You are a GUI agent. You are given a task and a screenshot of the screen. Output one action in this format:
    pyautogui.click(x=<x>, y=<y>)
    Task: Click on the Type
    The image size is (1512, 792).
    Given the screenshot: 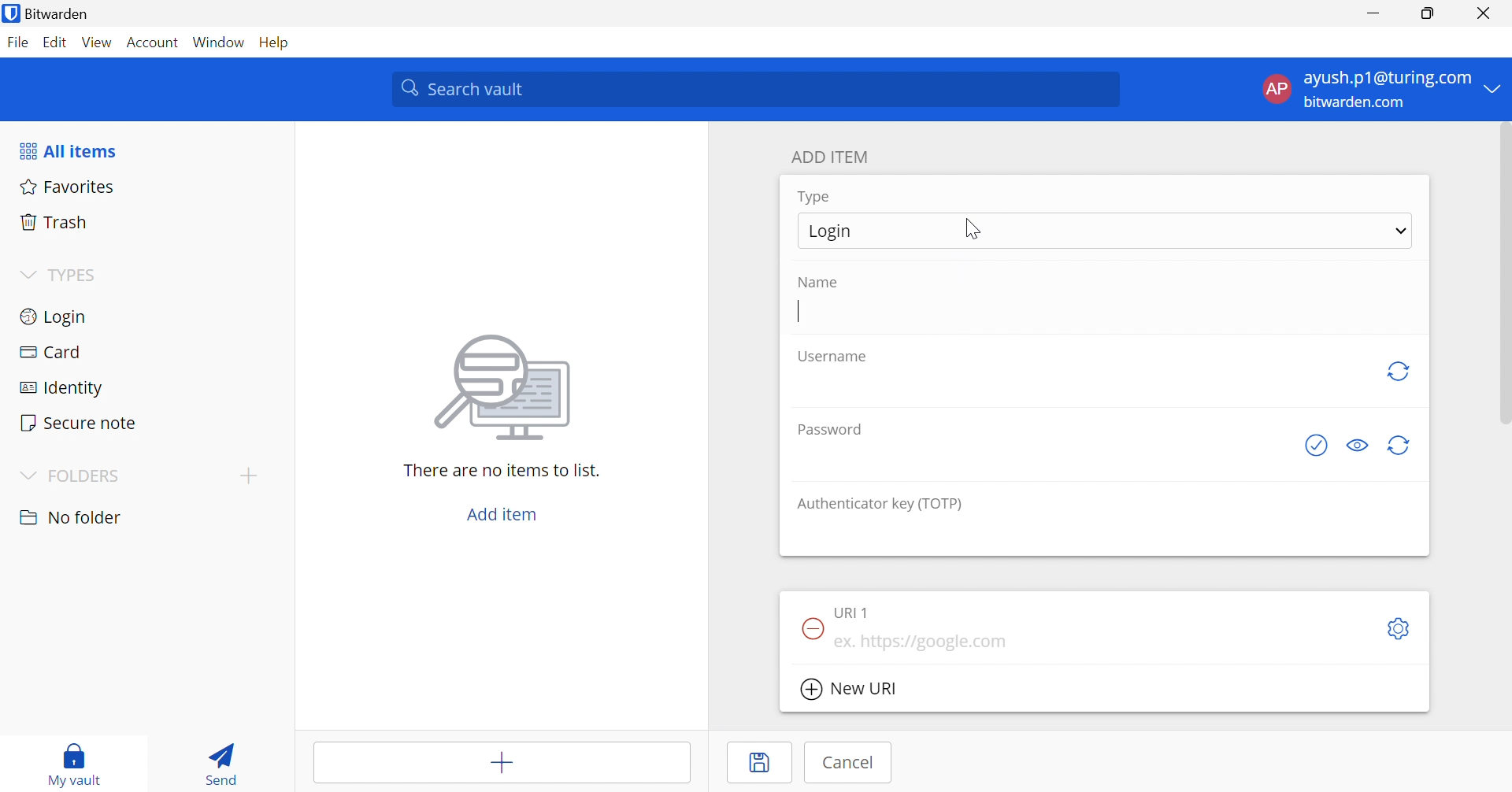 What is the action you would take?
    pyautogui.click(x=815, y=198)
    